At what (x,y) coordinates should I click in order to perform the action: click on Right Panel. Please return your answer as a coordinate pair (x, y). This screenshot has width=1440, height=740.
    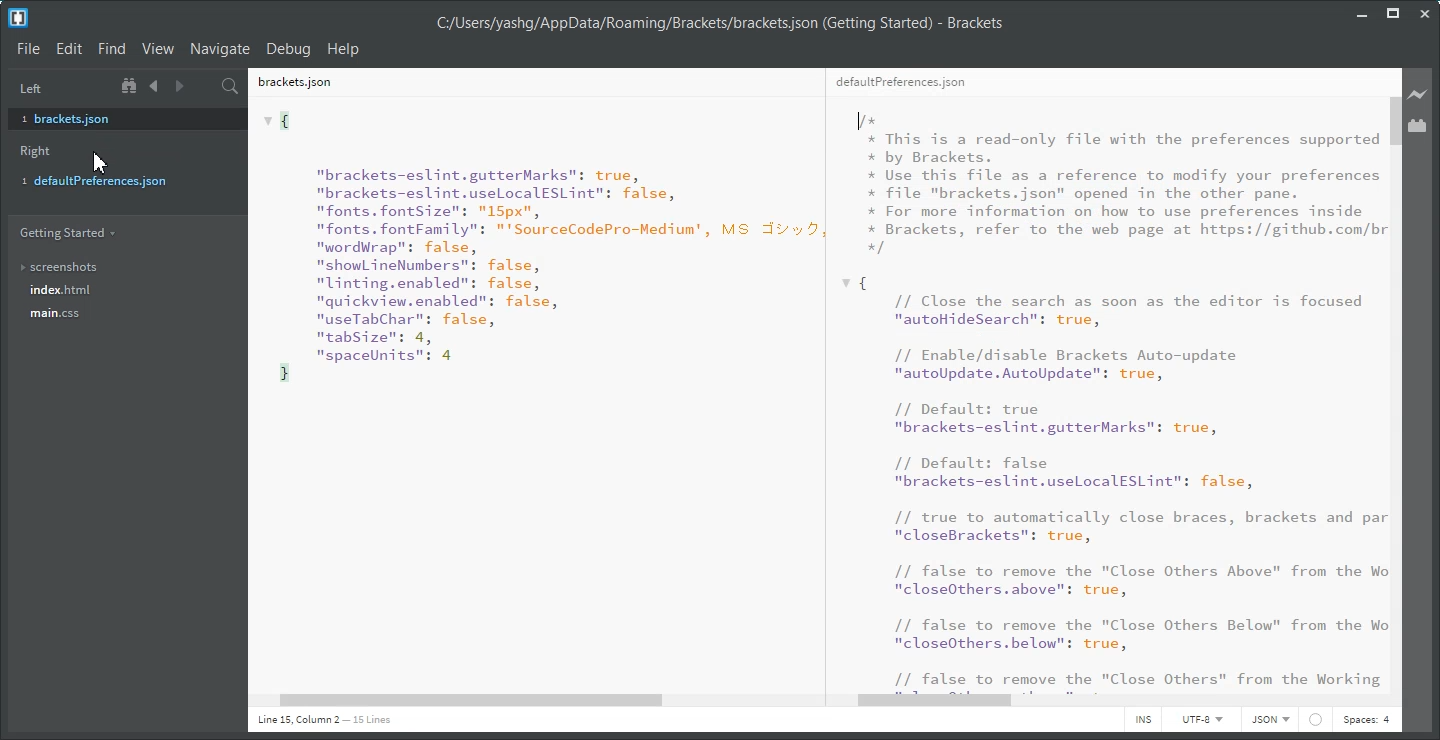
    Looking at the image, I should click on (37, 153).